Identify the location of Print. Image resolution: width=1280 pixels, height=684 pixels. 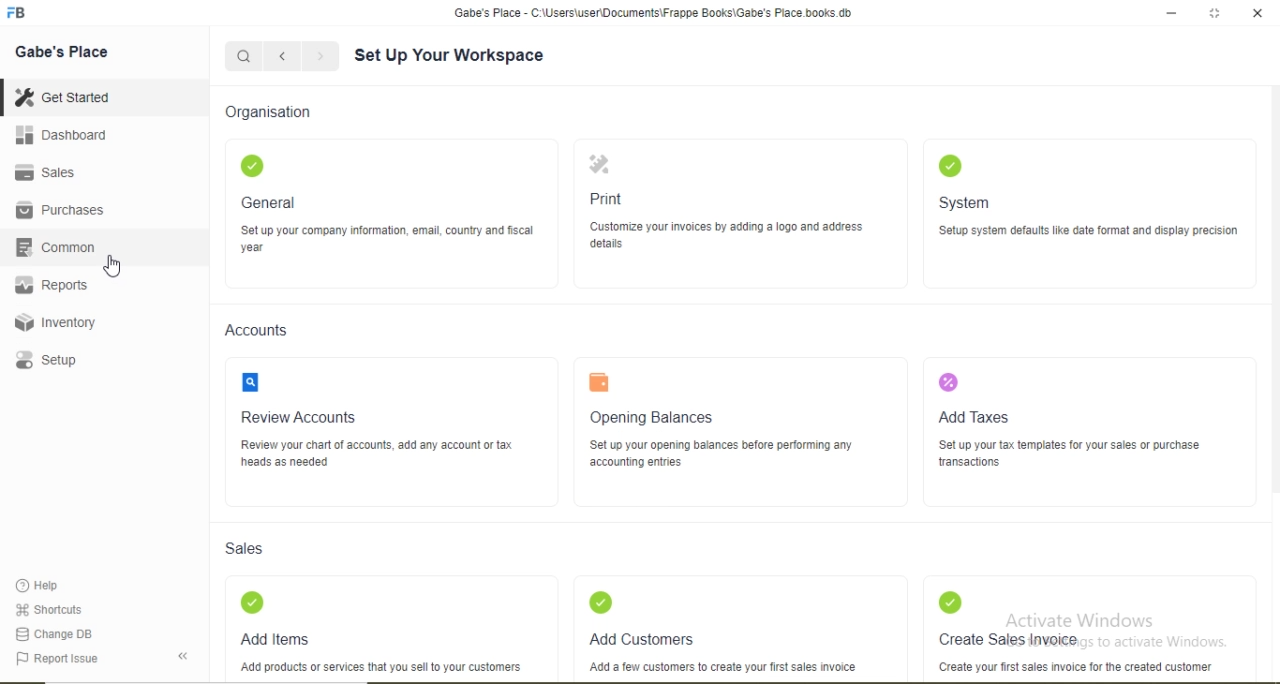
(607, 199).